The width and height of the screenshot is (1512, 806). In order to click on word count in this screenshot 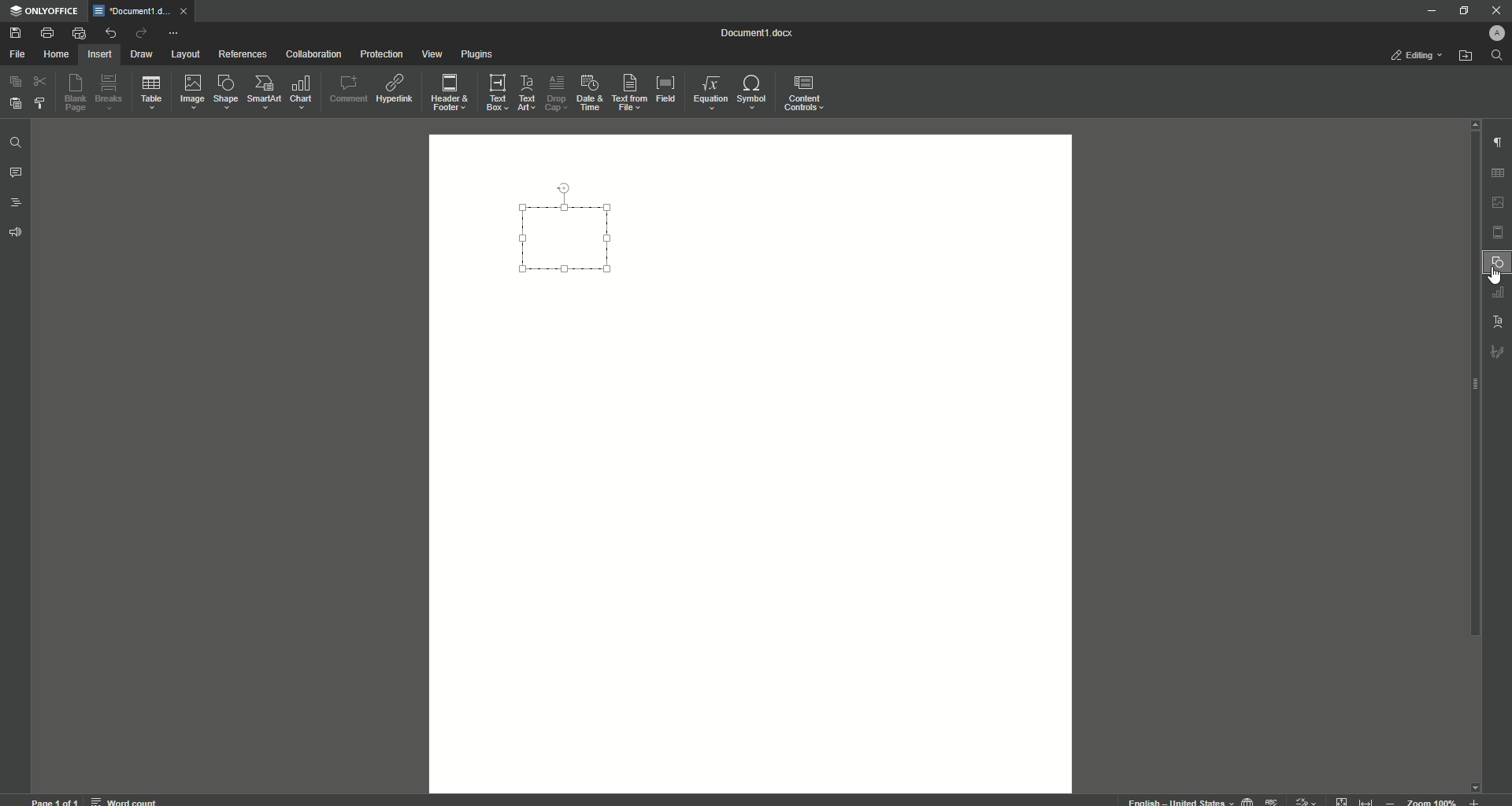, I will do `click(123, 799)`.